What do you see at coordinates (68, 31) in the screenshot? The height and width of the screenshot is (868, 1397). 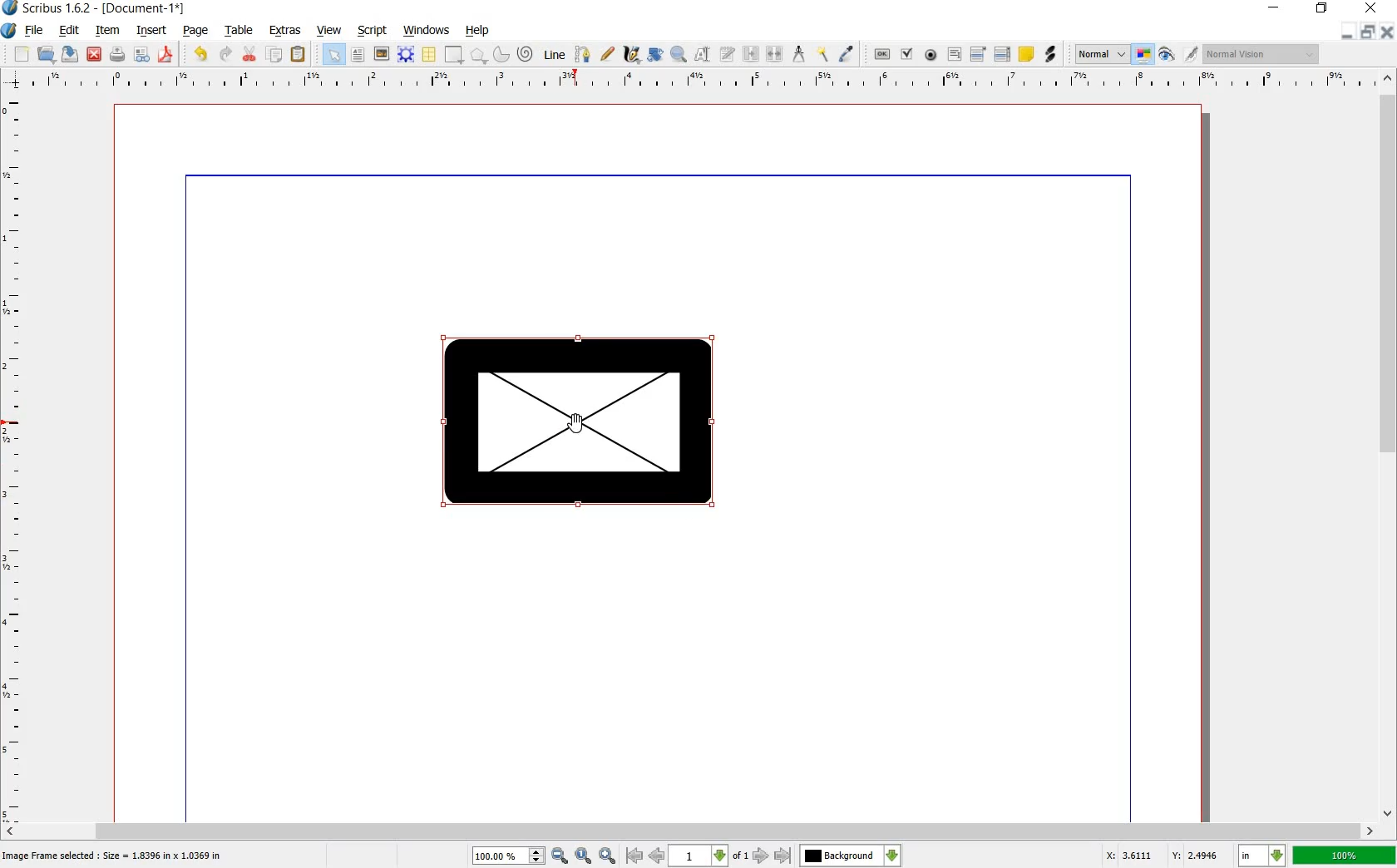 I see `edit` at bounding box center [68, 31].